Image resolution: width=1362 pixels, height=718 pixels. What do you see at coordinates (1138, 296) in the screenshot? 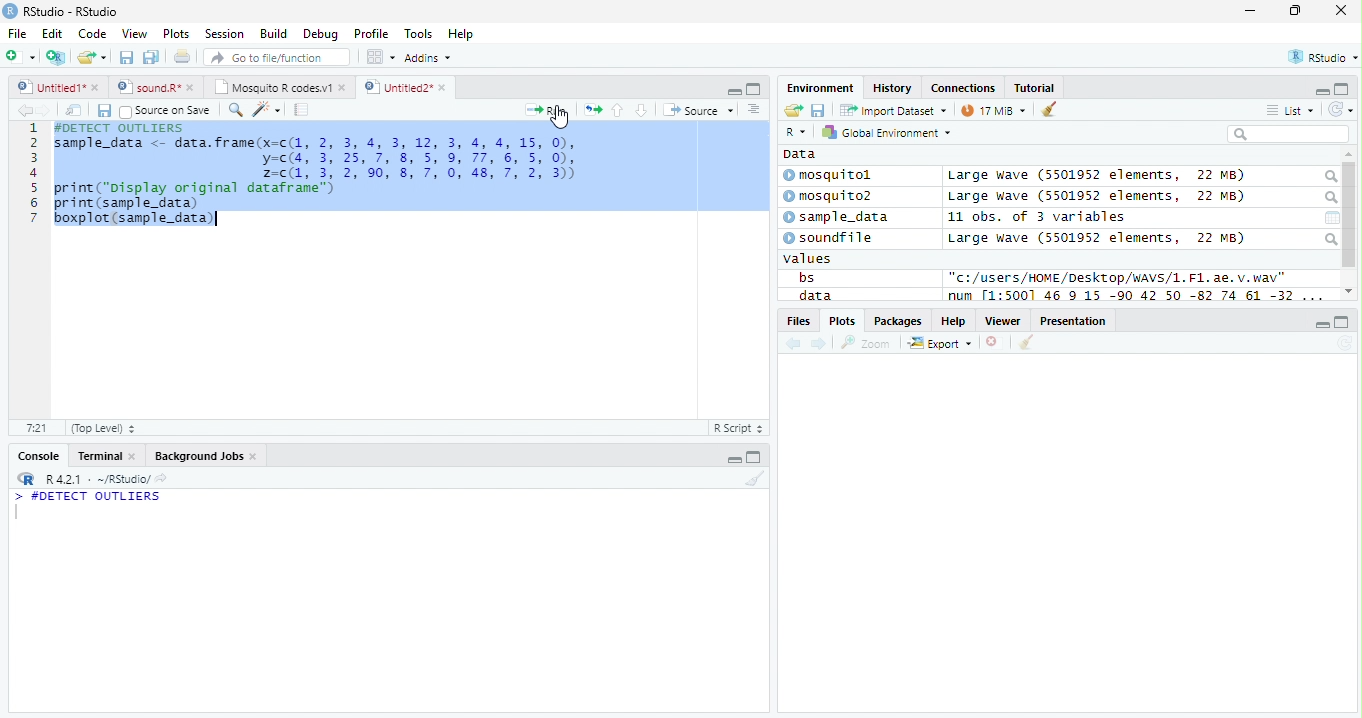
I see `num (1:5001 46 9 15 -90 42 50 -82 74 61 -32 ...` at bounding box center [1138, 296].